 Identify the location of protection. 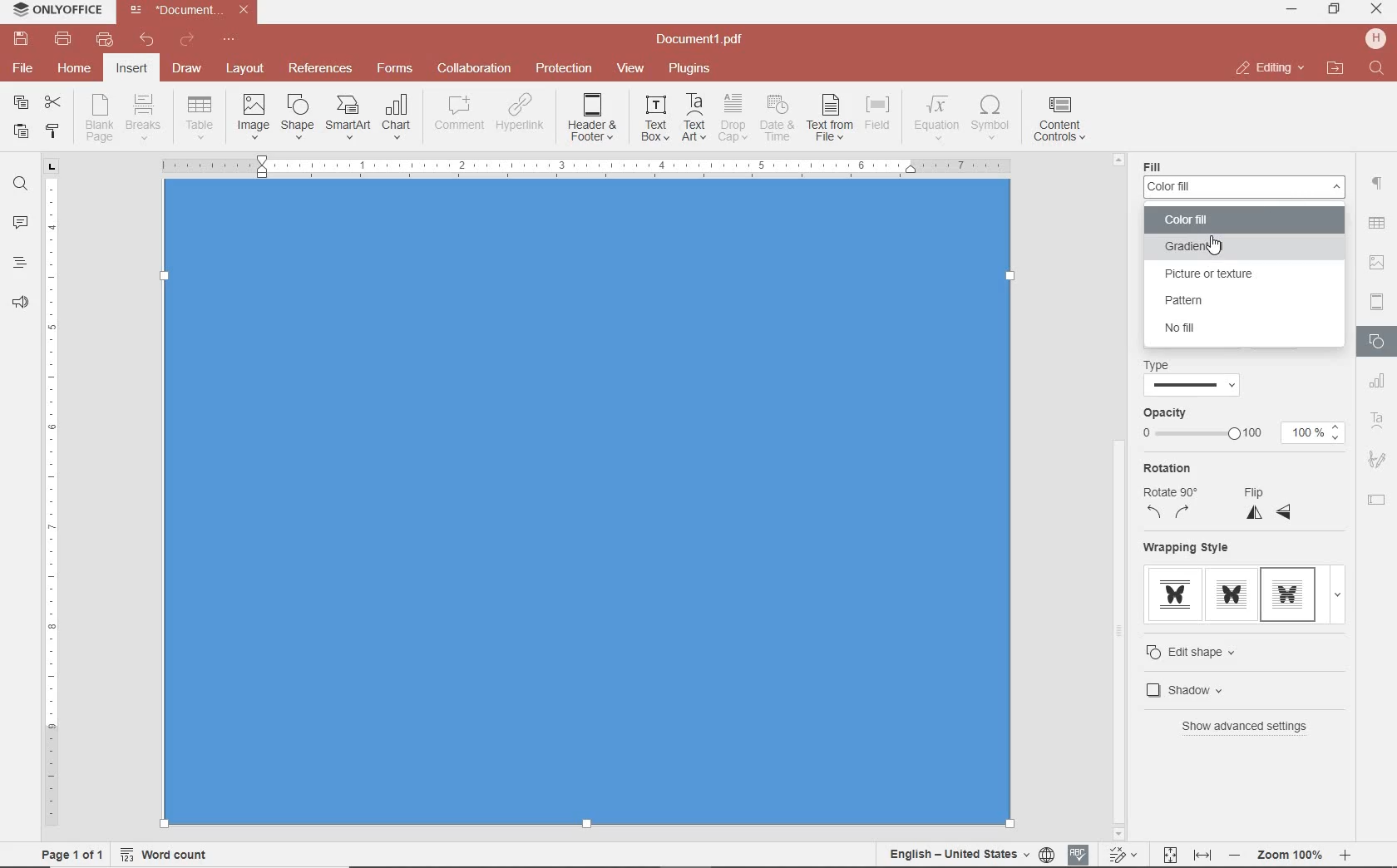
(565, 69).